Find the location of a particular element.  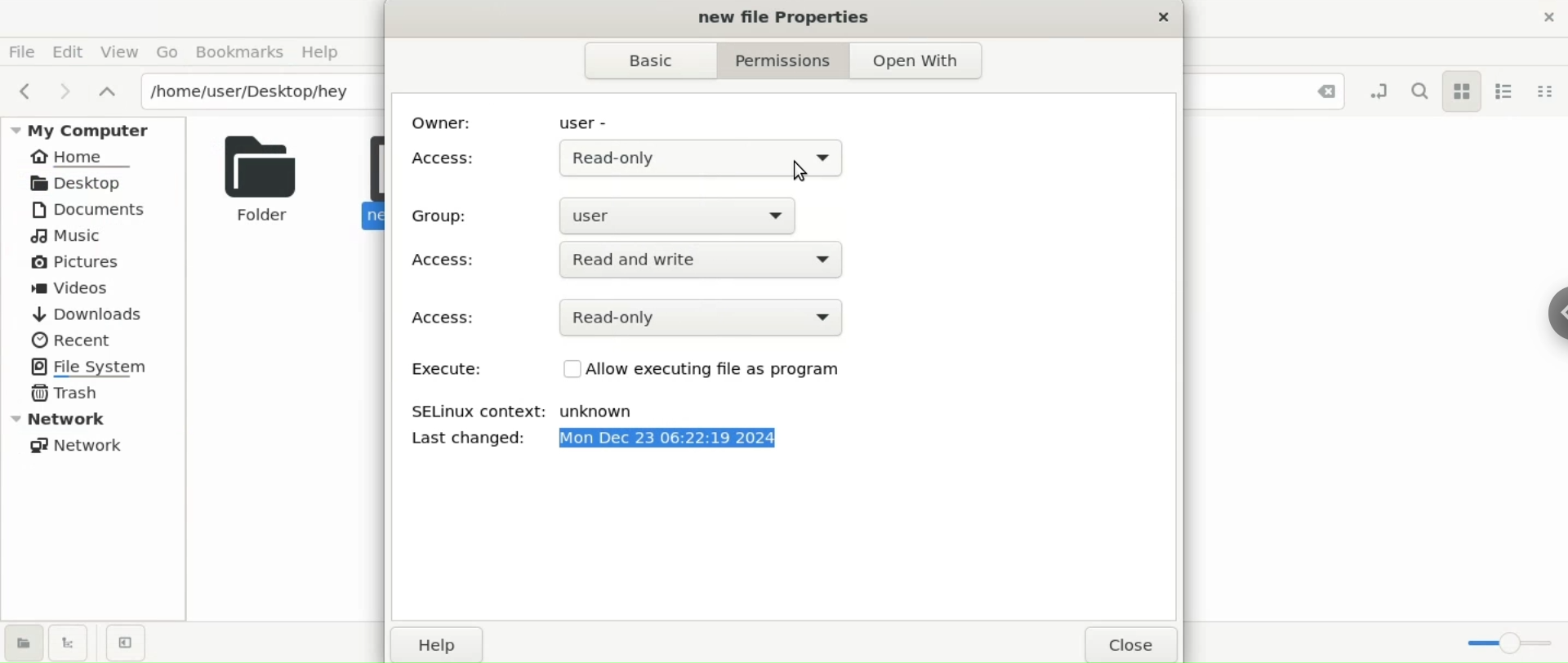

Basic is located at coordinates (640, 61).